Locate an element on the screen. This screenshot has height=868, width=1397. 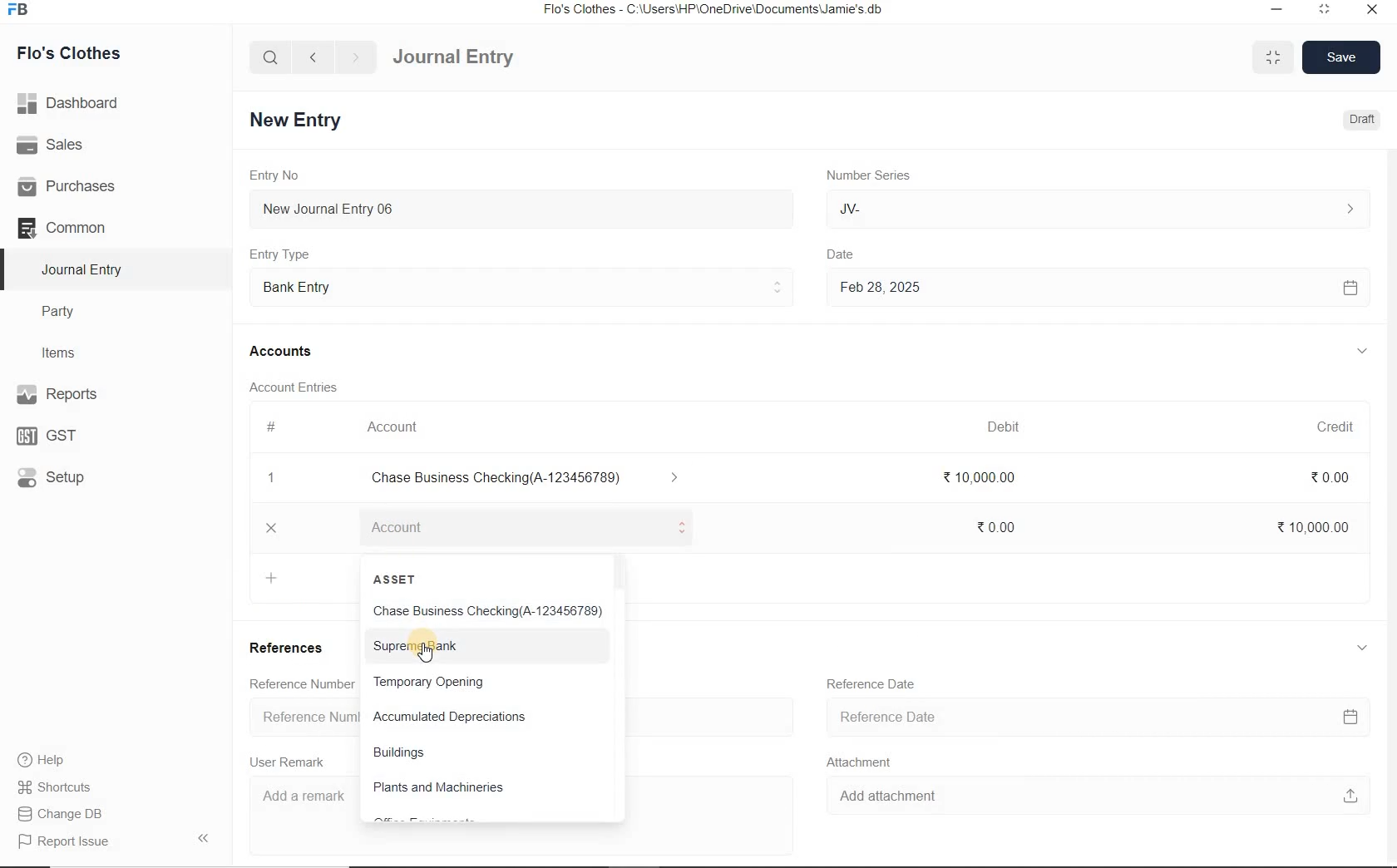
Flo's Clothes is located at coordinates (81, 53).